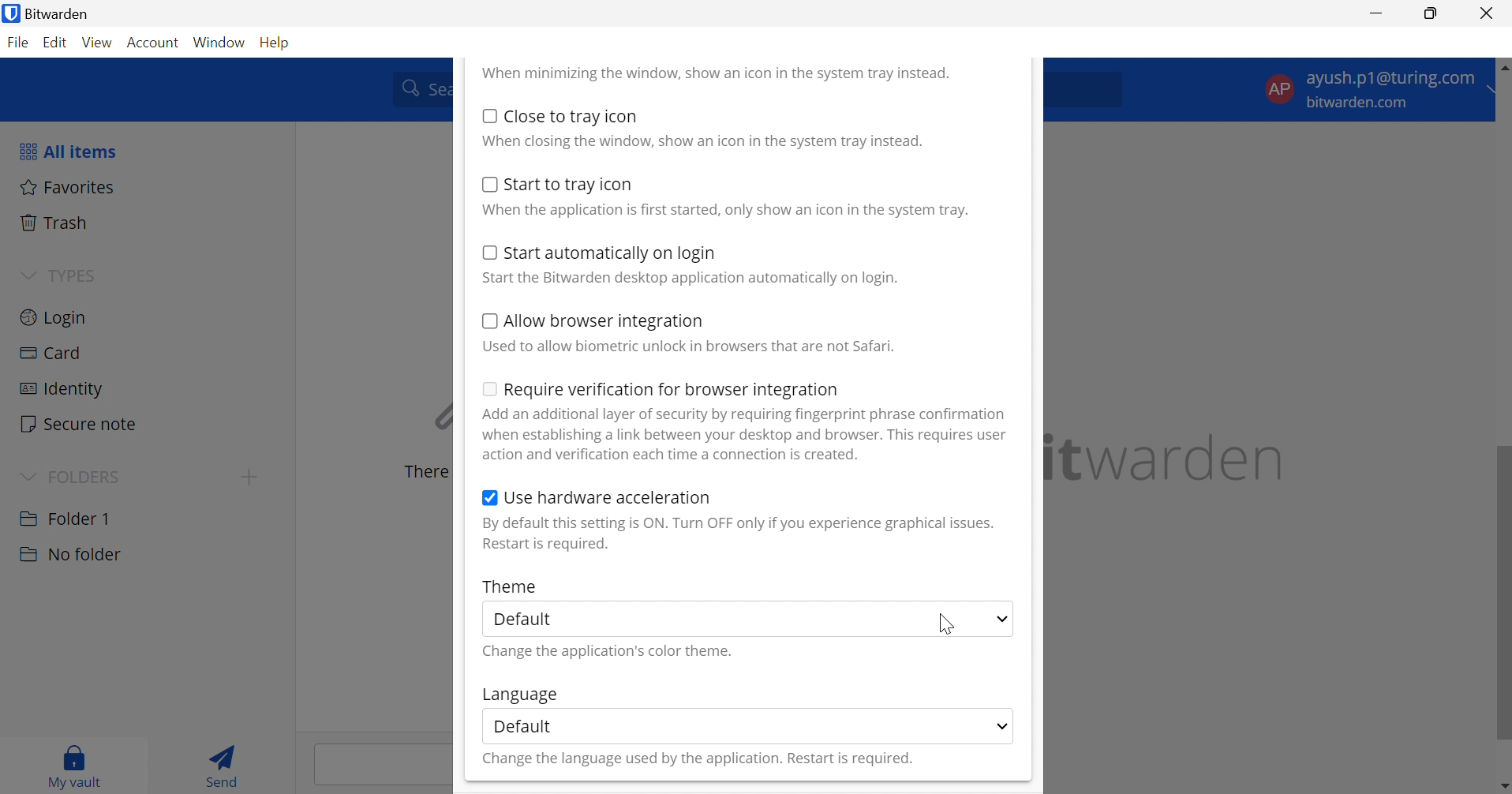 This screenshot has height=794, width=1512. I want to click on Favorites, so click(68, 186).